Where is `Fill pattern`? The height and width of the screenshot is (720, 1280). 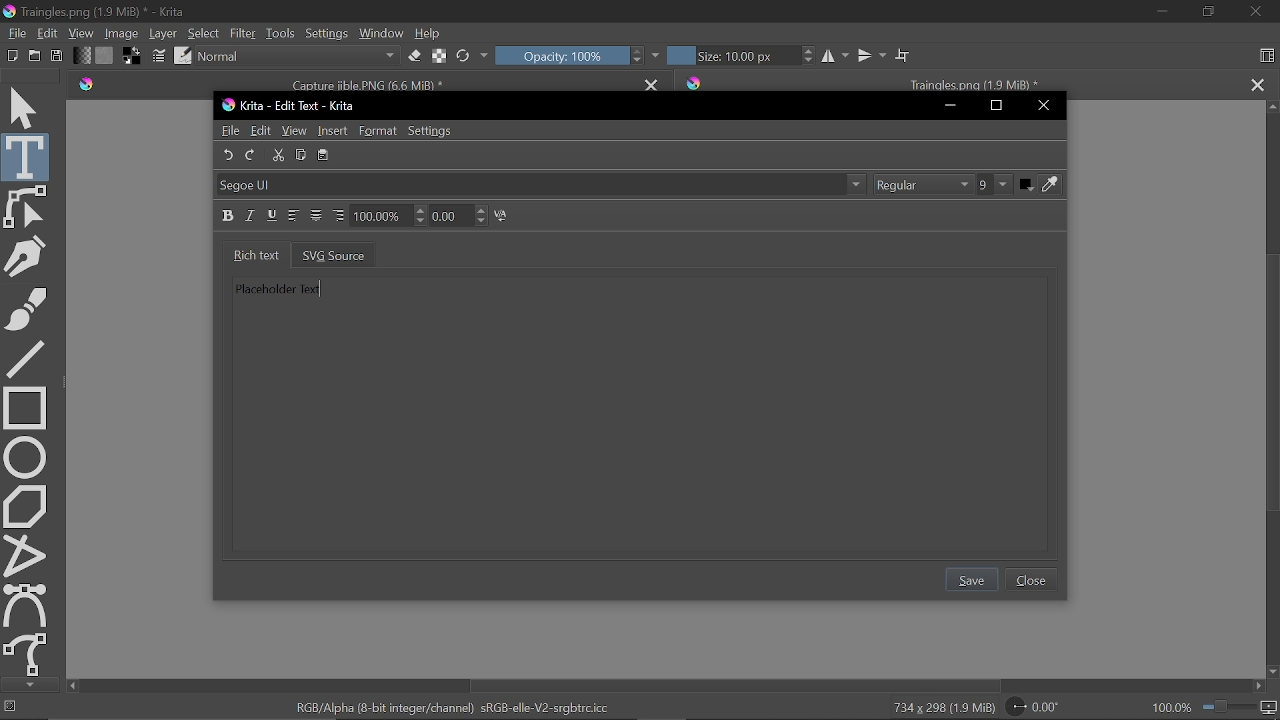 Fill pattern is located at coordinates (104, 55).